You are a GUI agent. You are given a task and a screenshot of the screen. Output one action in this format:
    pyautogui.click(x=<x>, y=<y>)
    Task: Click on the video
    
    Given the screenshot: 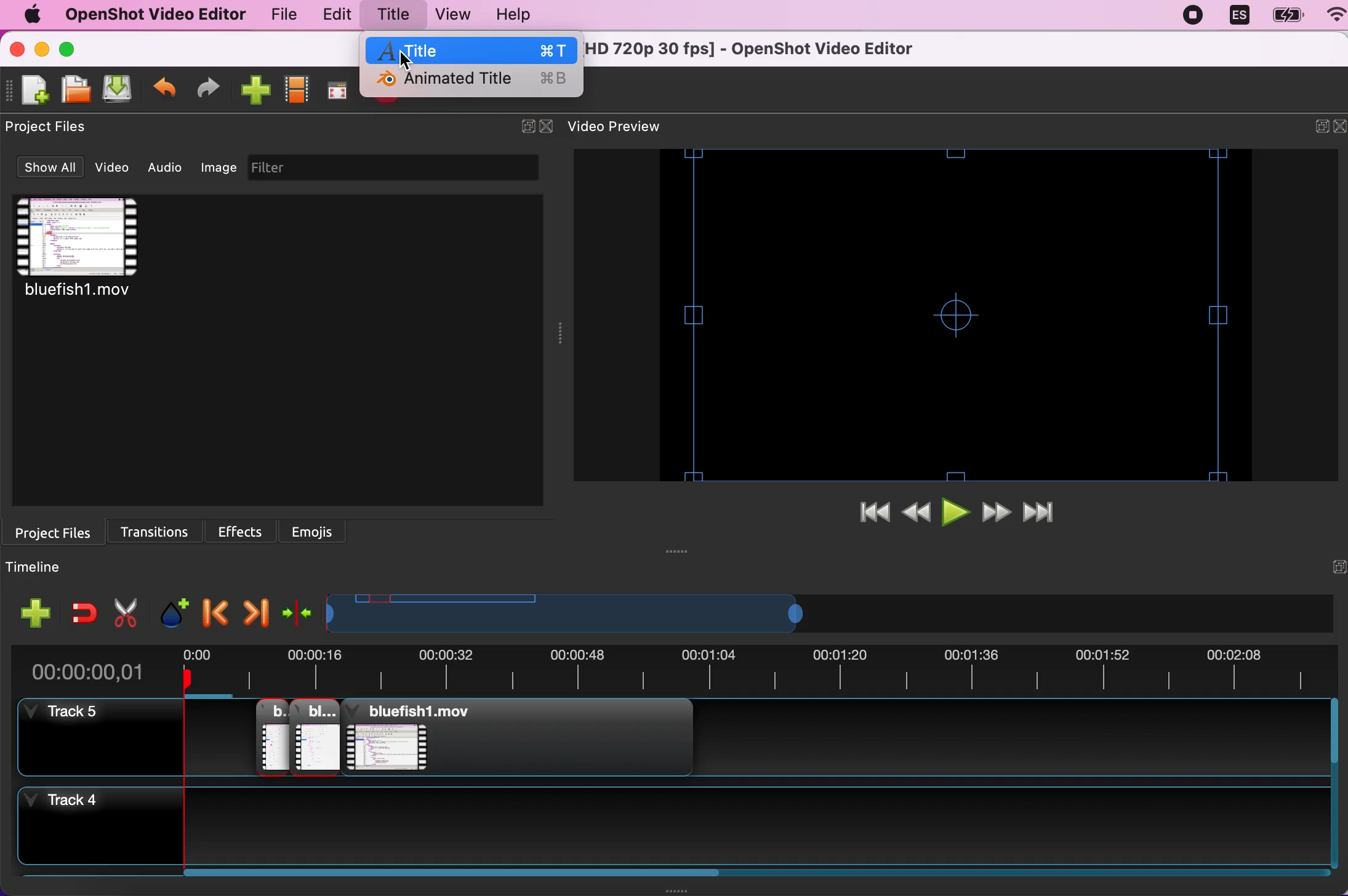 What is the action you would take?
    pyautogui.click(x=116, y=167)
    